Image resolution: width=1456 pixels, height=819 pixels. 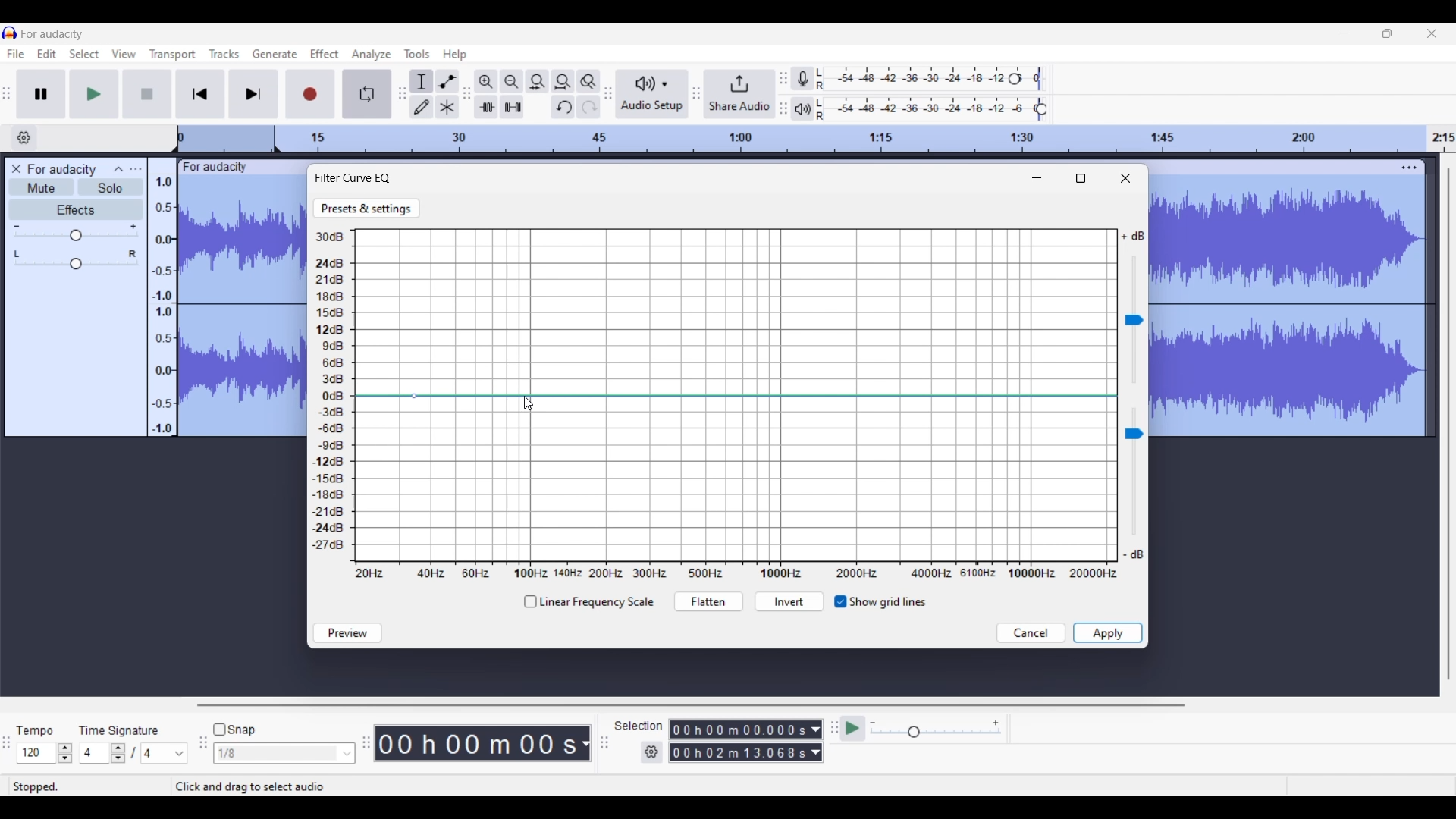 I want to click on Change sound, so click(x=1134, y=320).